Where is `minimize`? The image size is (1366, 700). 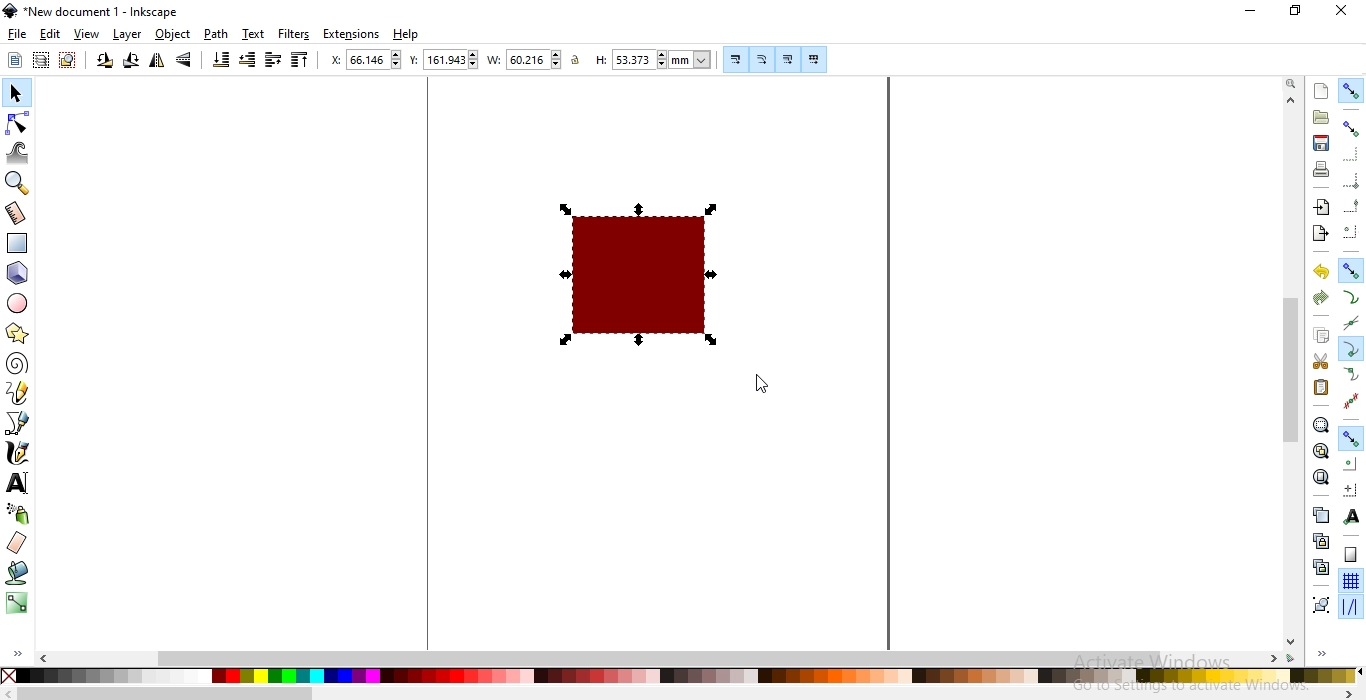
minimize is located at coordinates (1252, 12).